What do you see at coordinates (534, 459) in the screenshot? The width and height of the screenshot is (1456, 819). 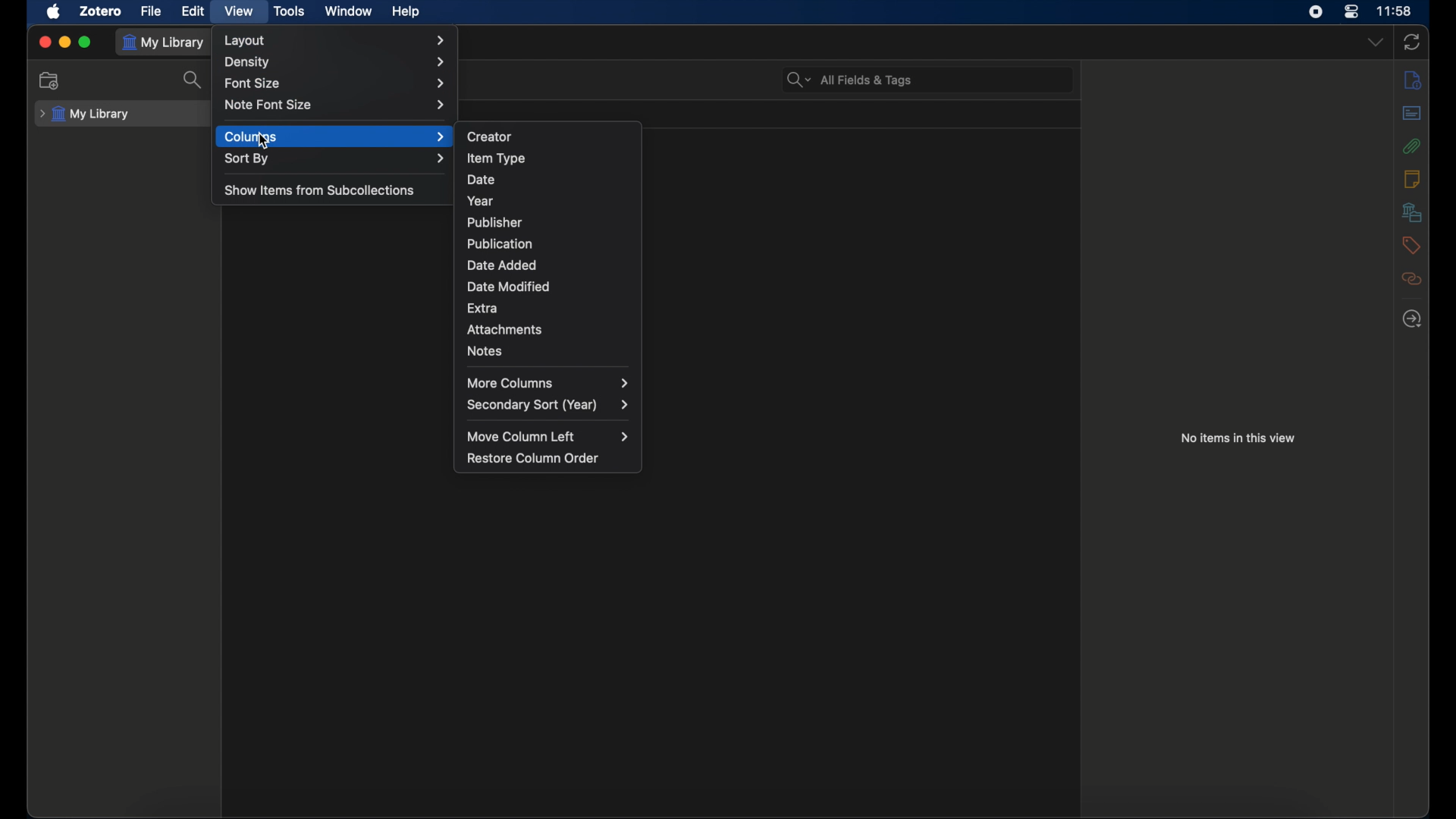 I see `restore column order` at bounding box center [534, 459].